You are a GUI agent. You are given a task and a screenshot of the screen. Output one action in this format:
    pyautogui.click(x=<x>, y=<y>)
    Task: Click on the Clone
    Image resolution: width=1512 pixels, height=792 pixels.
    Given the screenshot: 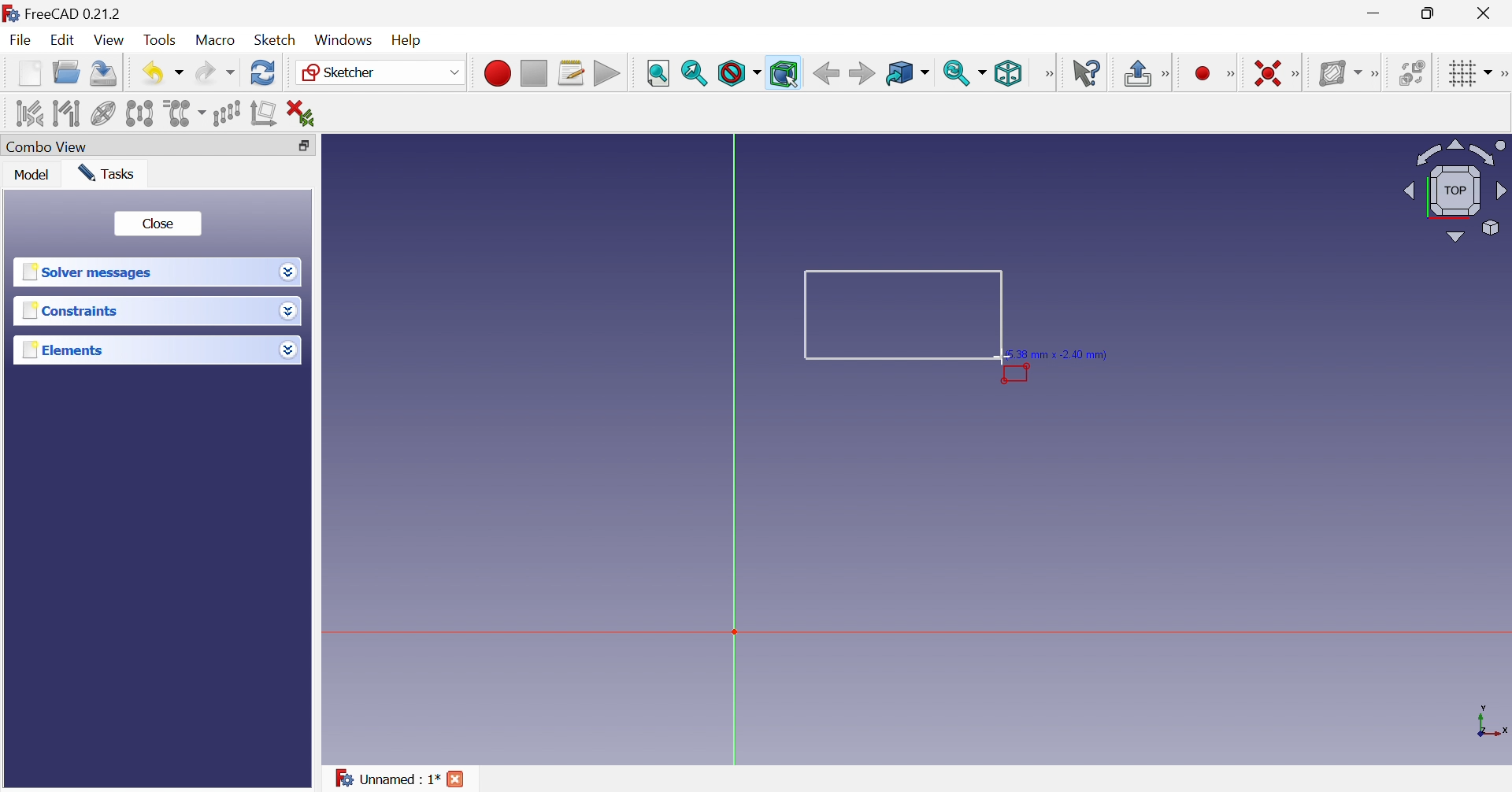 What is the action you would take?
    pyautogui.click(x=183, y=114)
    